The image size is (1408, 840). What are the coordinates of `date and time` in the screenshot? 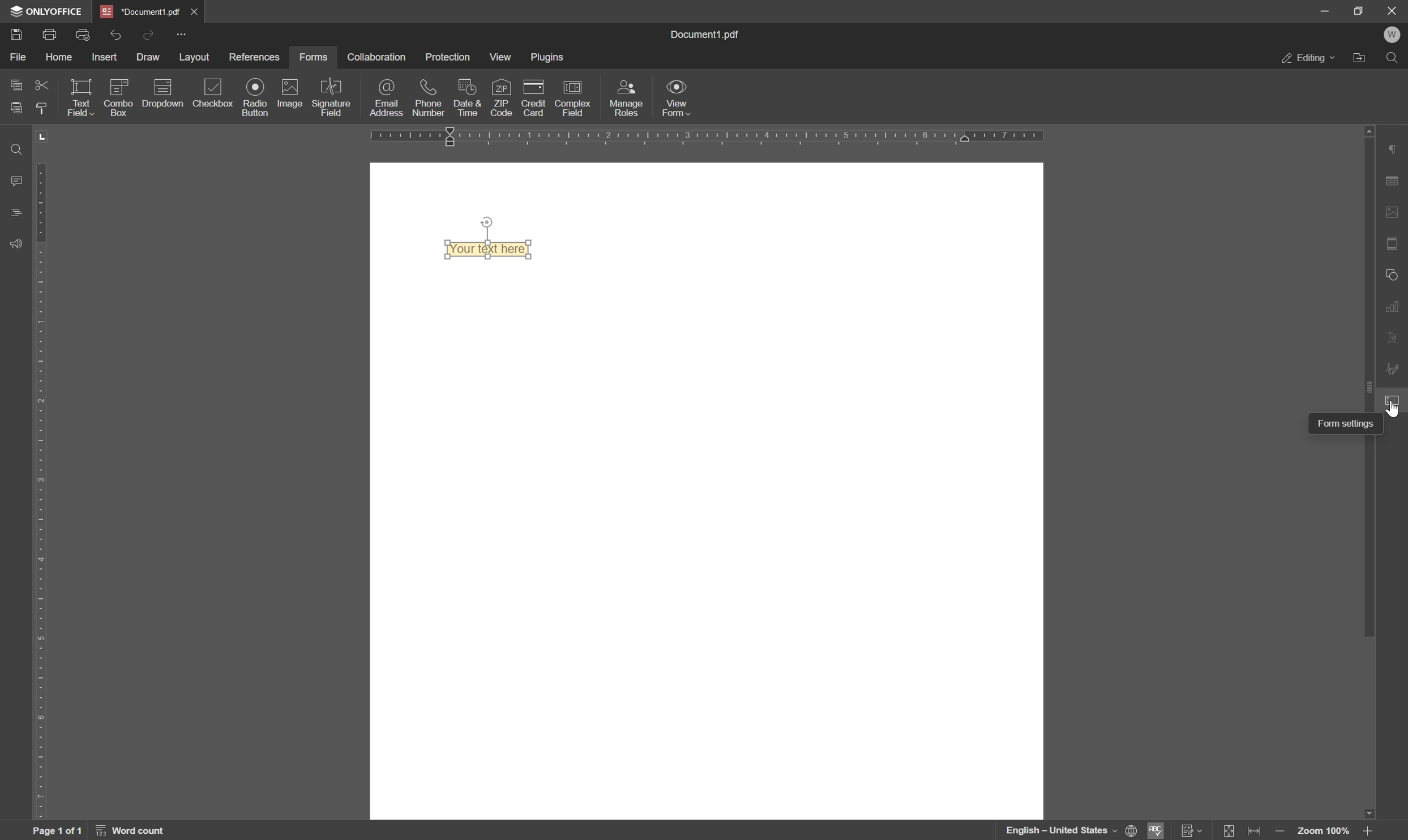 It's located at (470, 99).